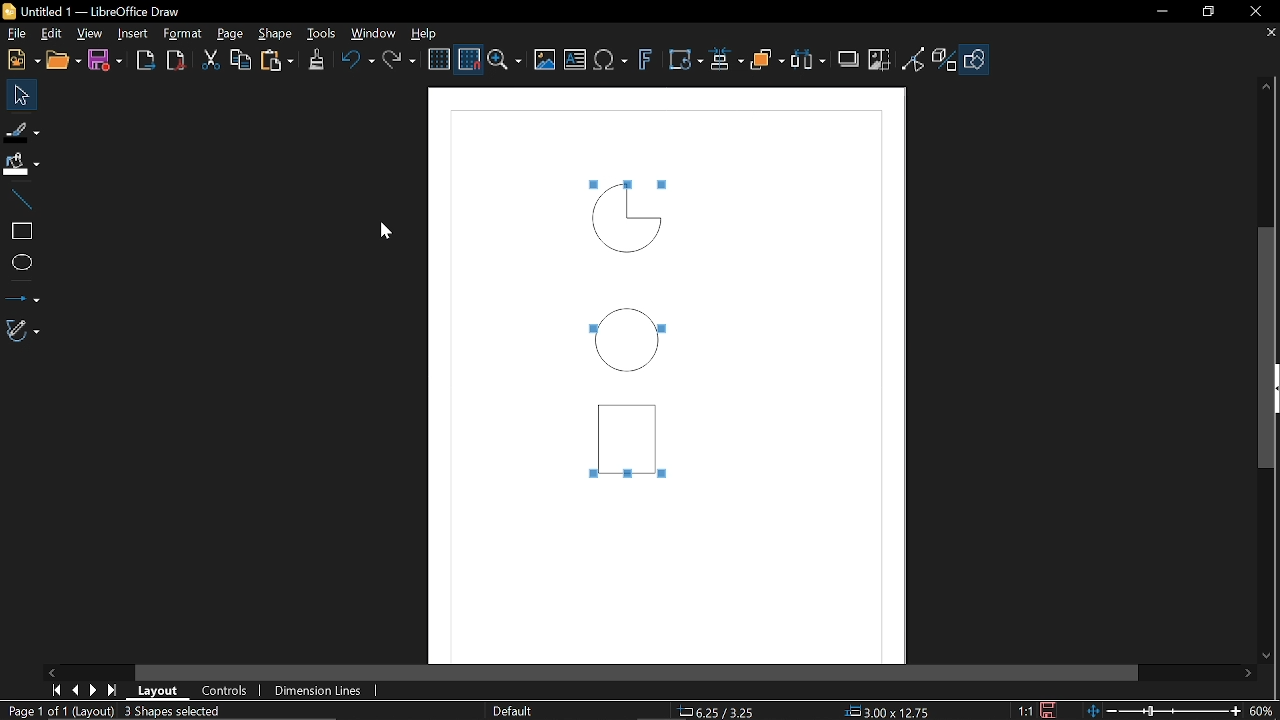  What do you see at coordinates (613, 62) in the screenshot?
I see `insert equation` at bounding box center [613, 62].